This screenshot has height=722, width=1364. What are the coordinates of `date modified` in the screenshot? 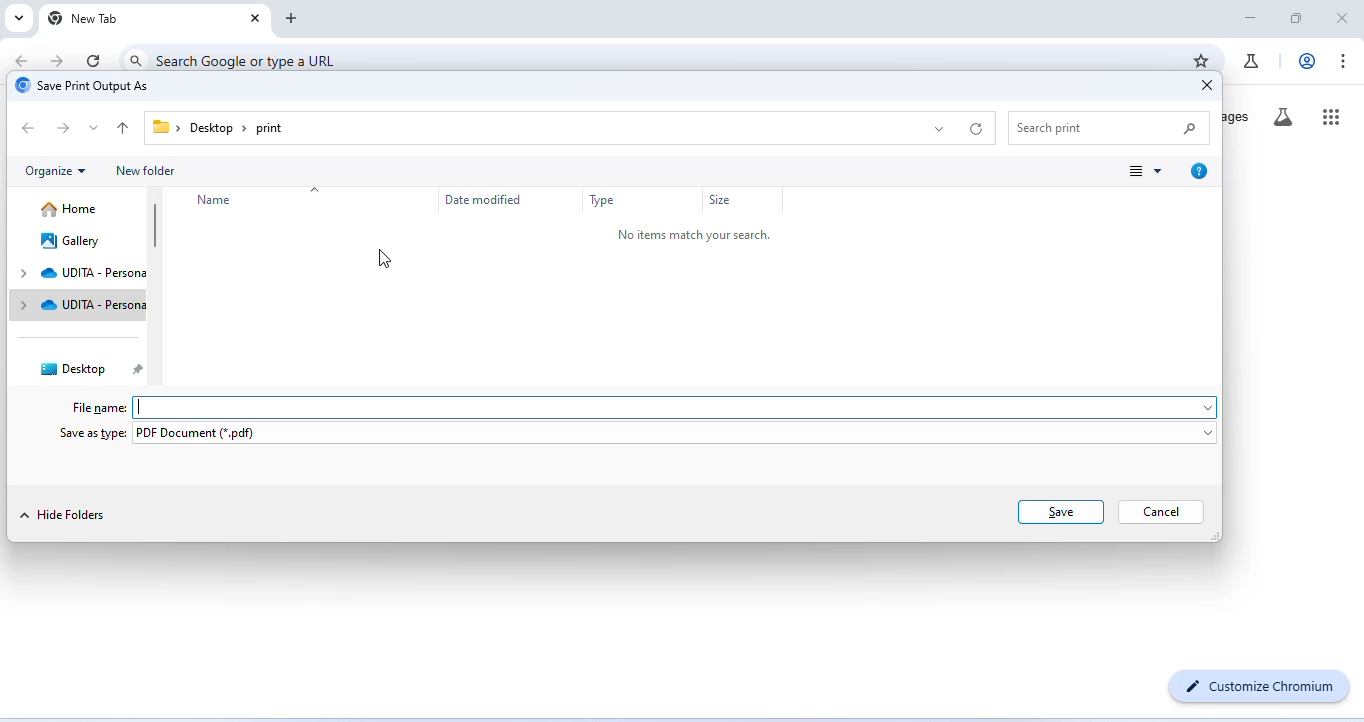 It's located at (476, 199).